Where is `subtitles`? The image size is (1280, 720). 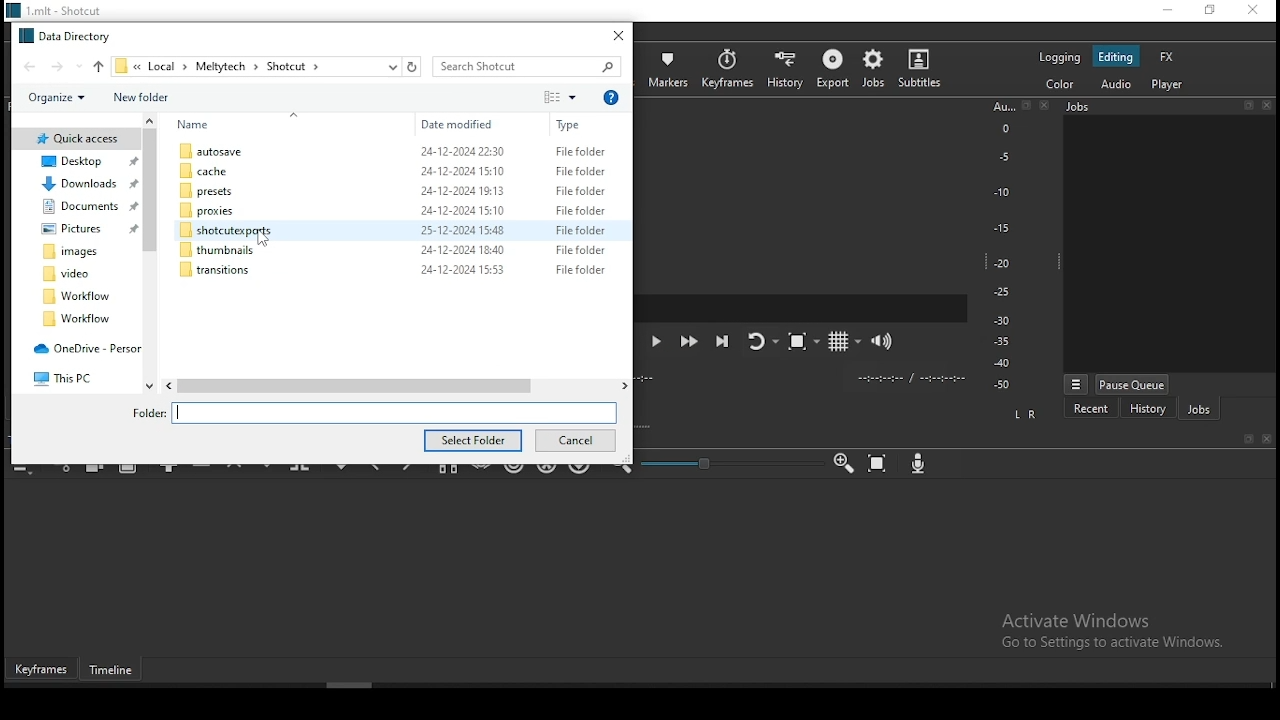 subtitles is located at coordinates (924, 68).